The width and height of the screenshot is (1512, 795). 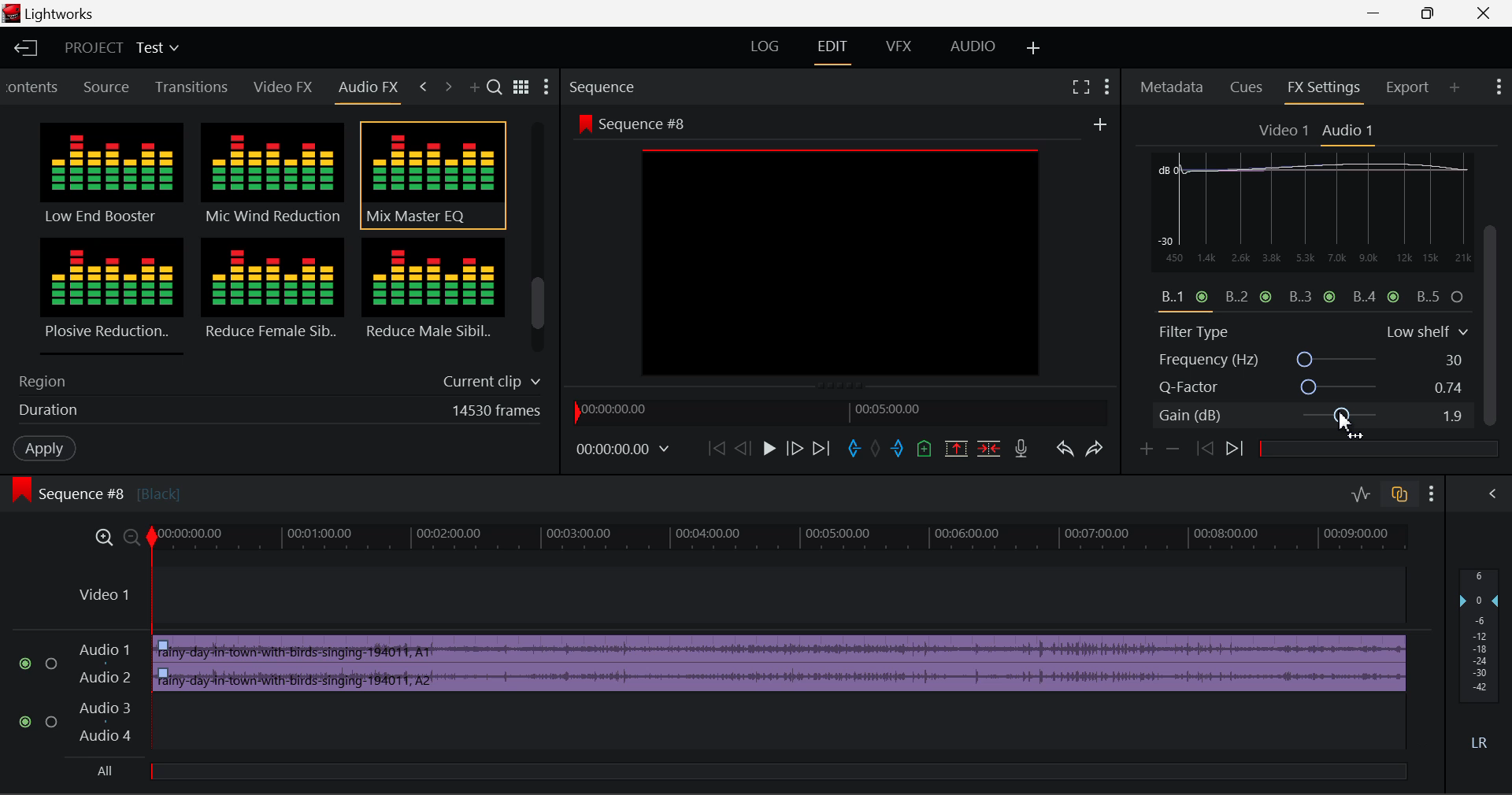 I want to click on Video Layer, so click(x=737, y=597).